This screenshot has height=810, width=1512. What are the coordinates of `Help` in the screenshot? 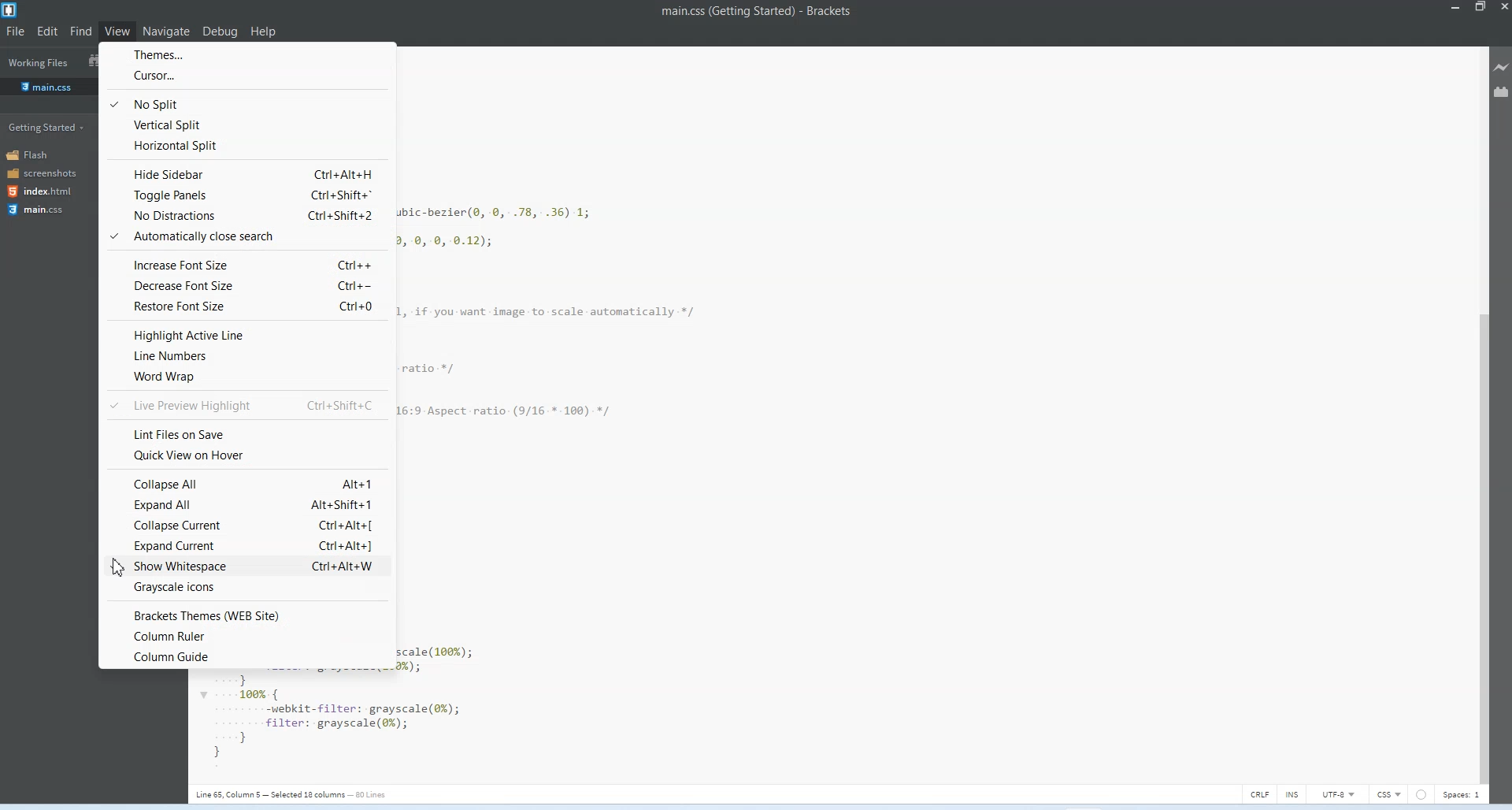 It's located at (263, 31).